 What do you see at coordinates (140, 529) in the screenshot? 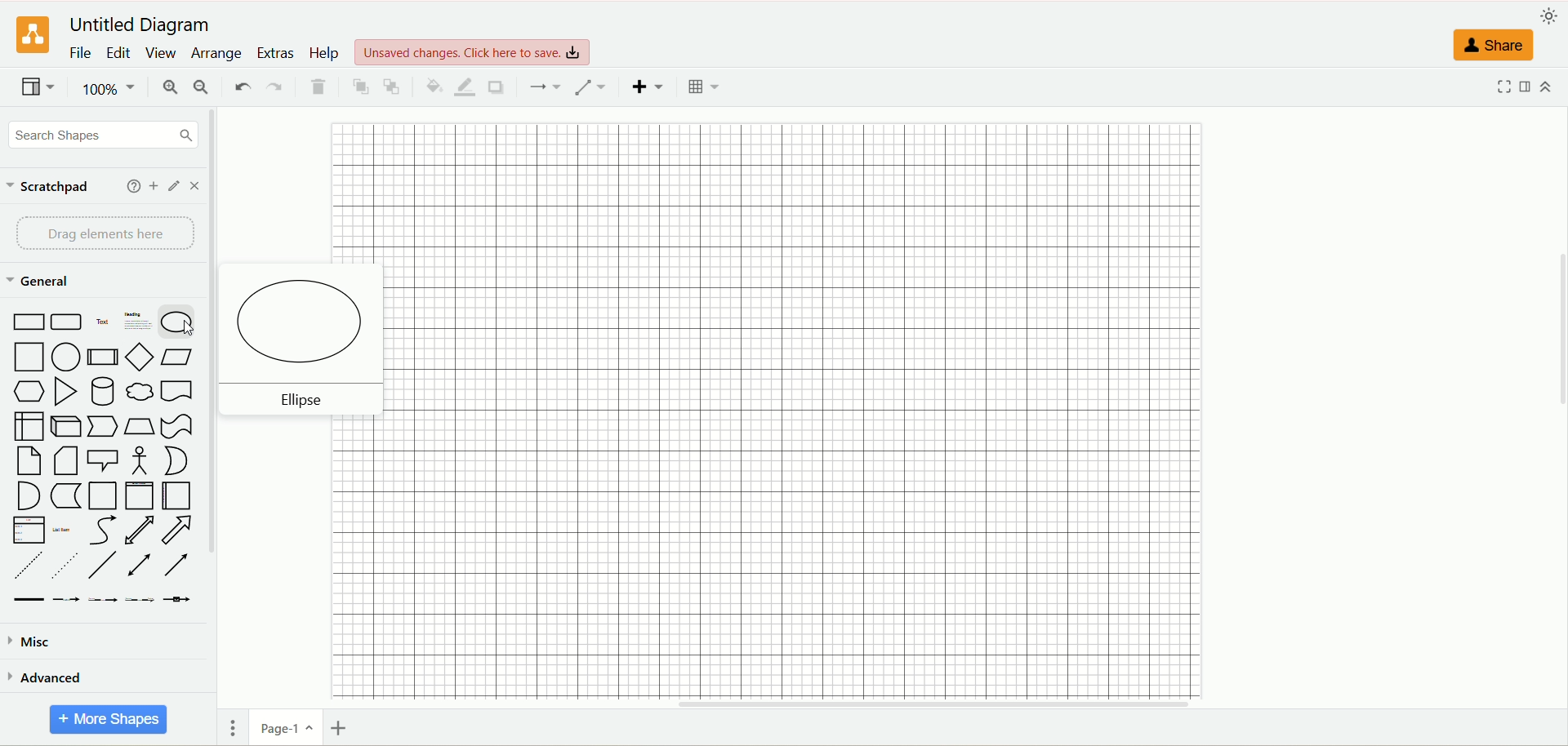
I see `bidirectional arrow` at bounding box center [140, 529].